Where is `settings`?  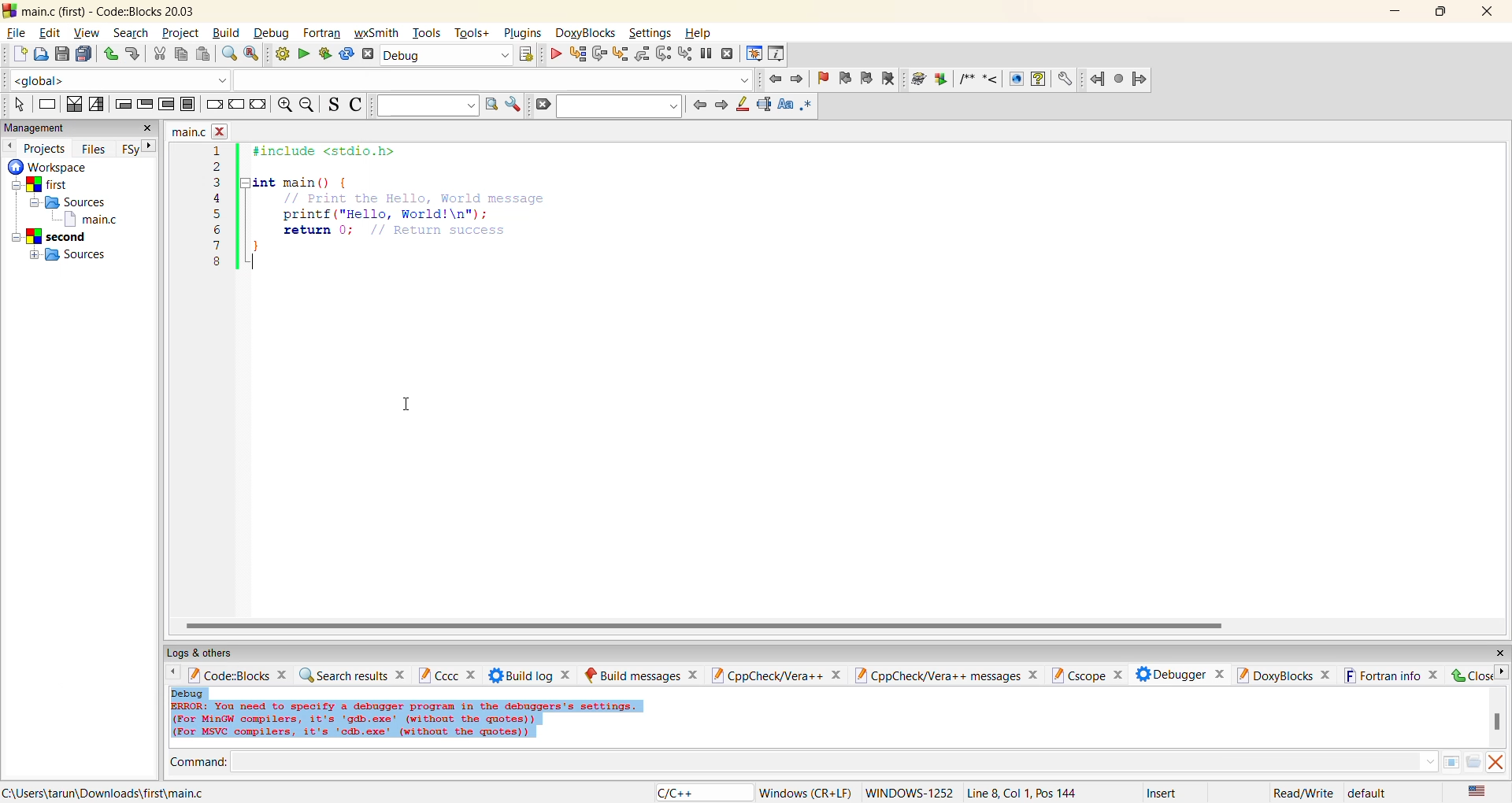
settings is located at coordinates (655, 33).